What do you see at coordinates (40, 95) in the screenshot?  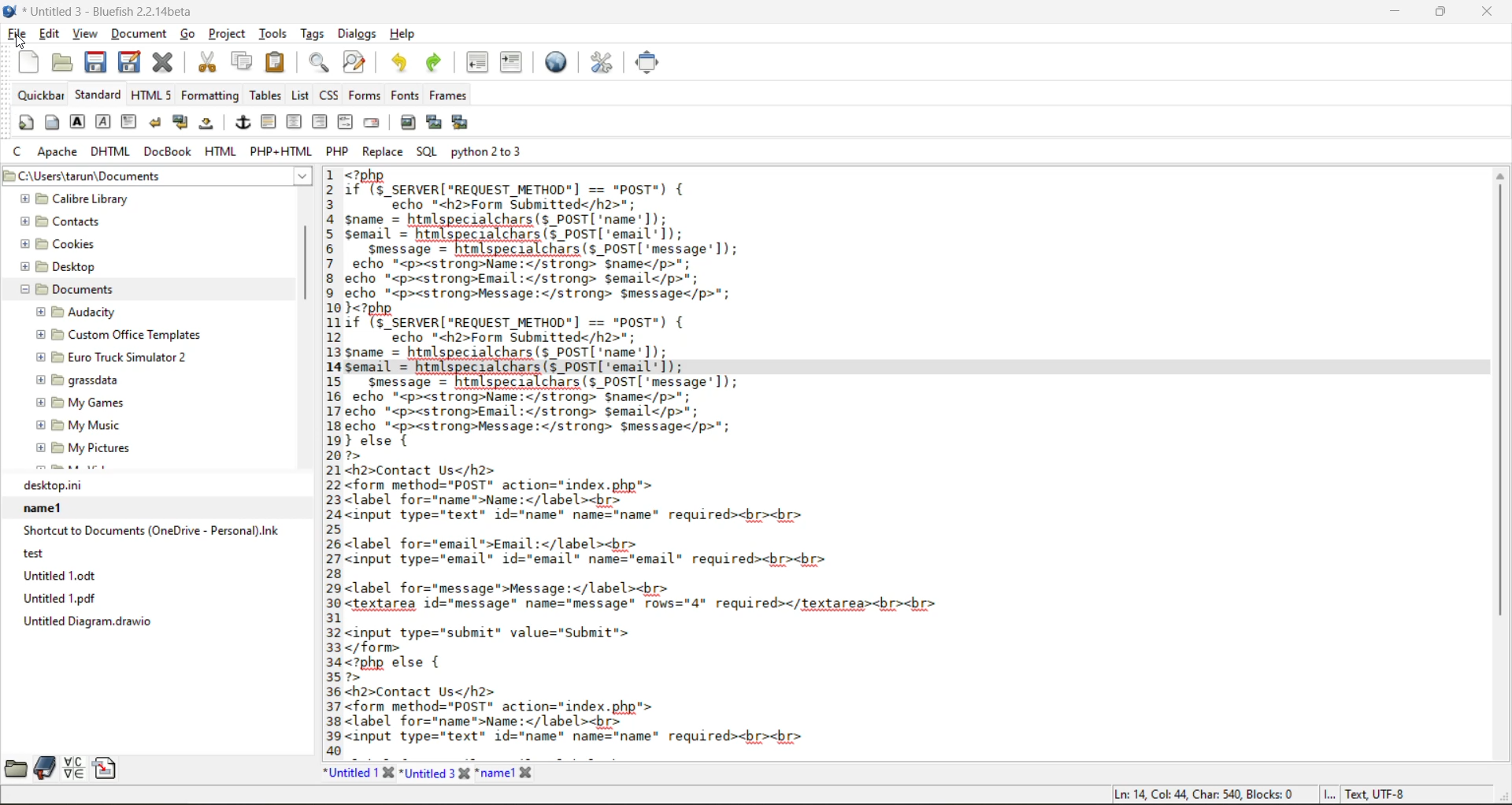 I see `quickbar` at bounding box center [40, 95].